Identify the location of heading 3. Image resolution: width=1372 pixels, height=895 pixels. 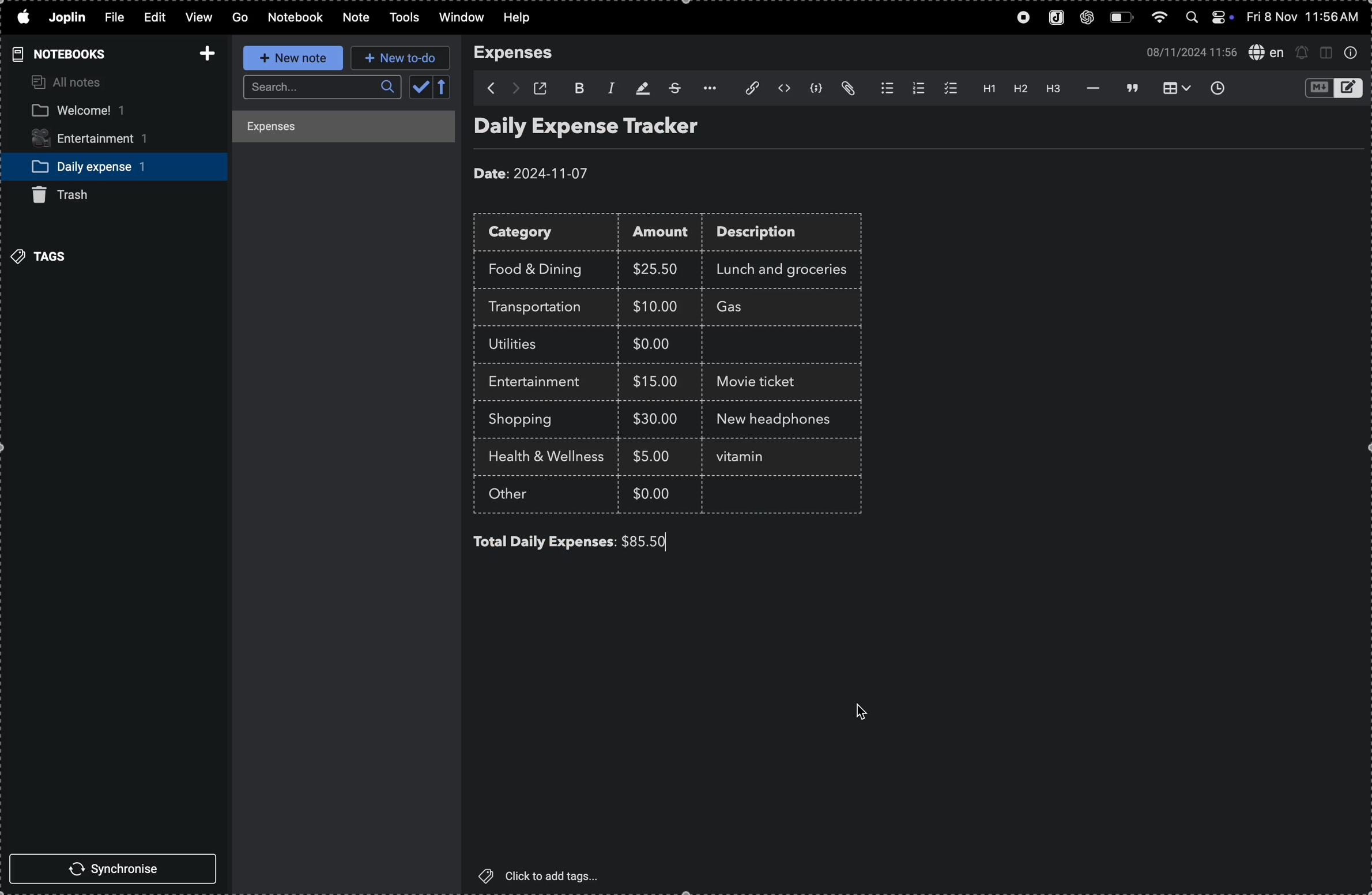
(1054, 90).